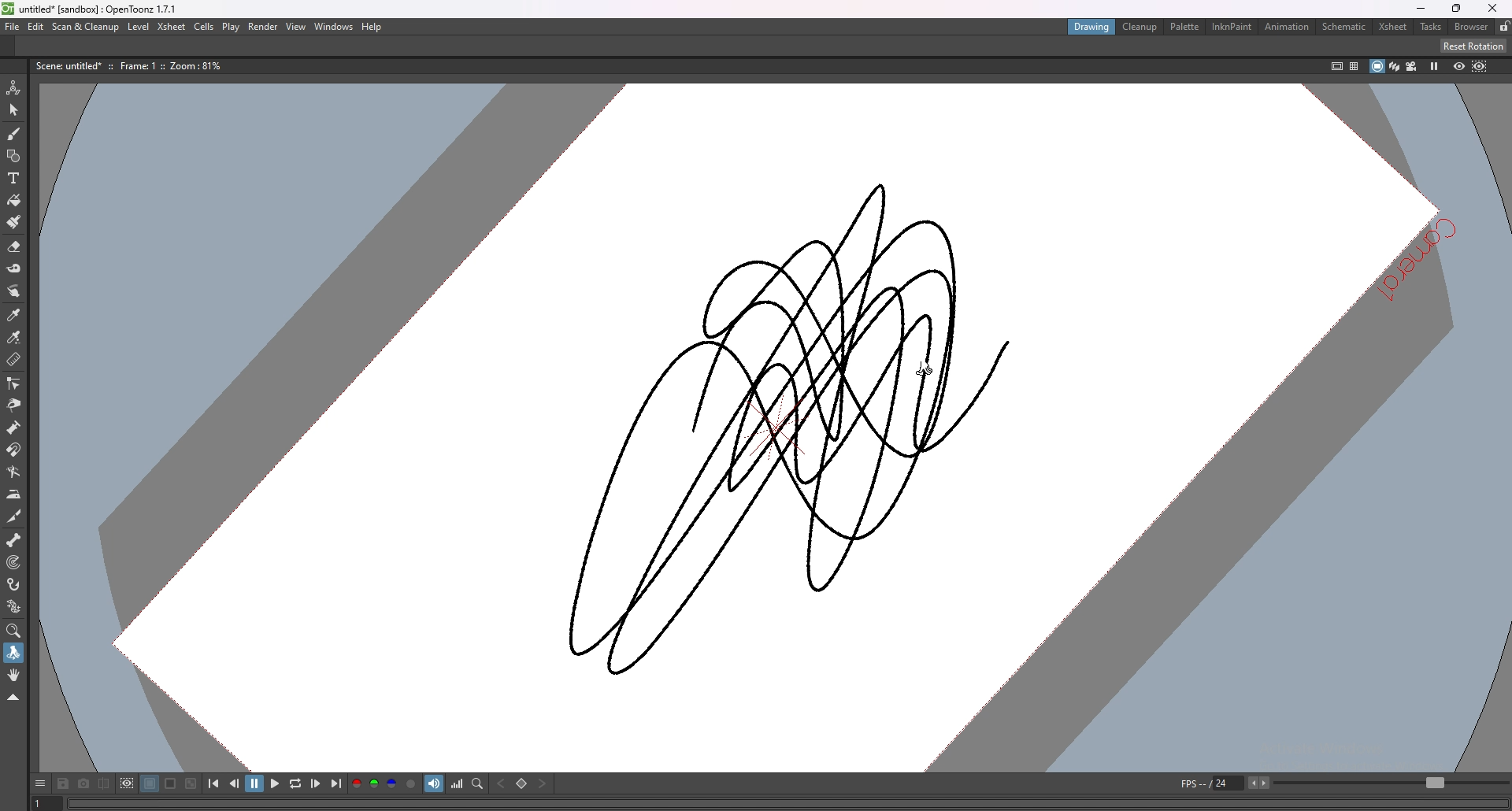 The image size is (1512, 811). What do you see at coordinates (1337, 65) in the screenshot?
I see `safe area` at bounding box center [1337, 65].